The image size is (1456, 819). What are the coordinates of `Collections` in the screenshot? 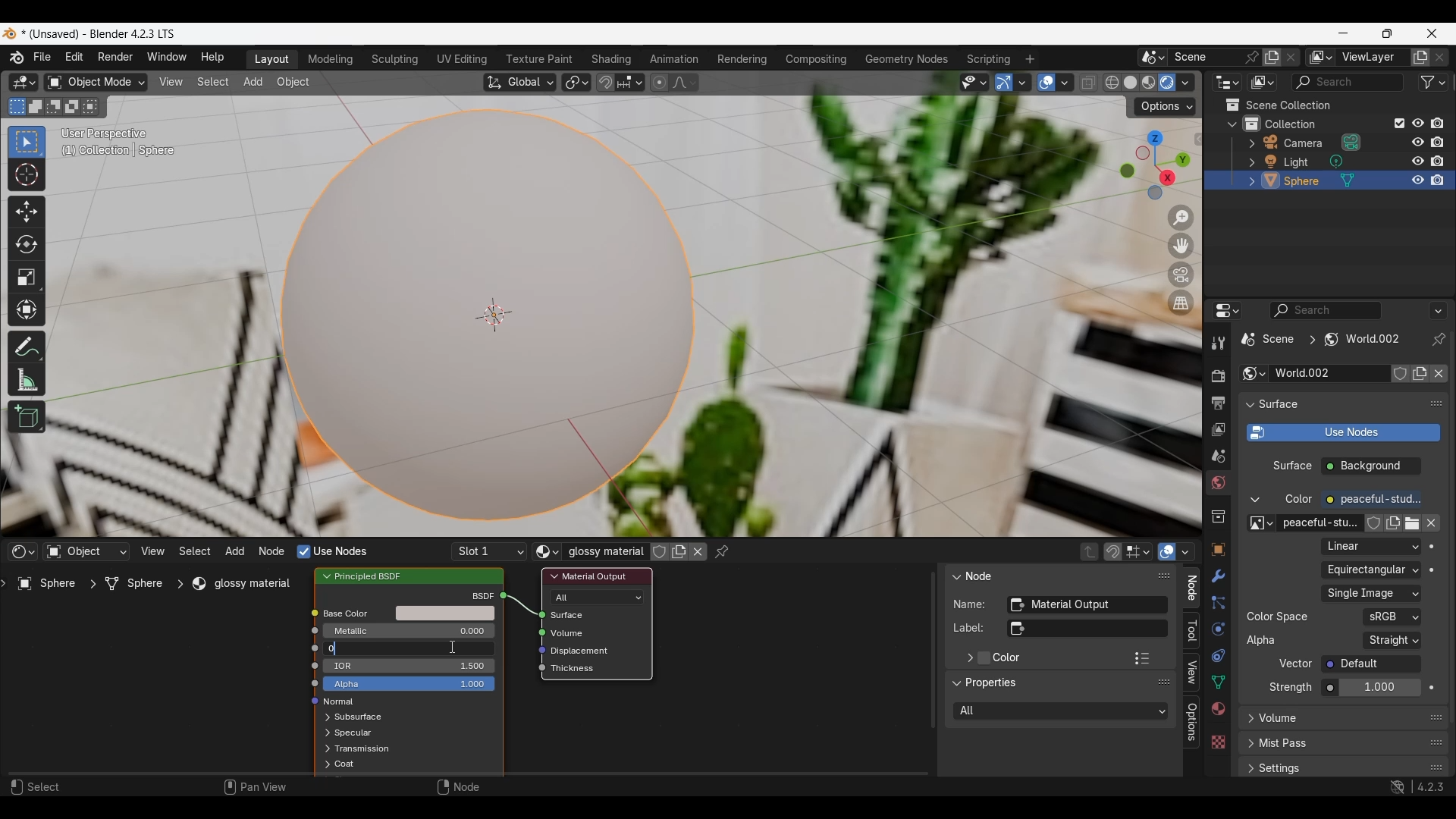 It's located at (1251, 123).